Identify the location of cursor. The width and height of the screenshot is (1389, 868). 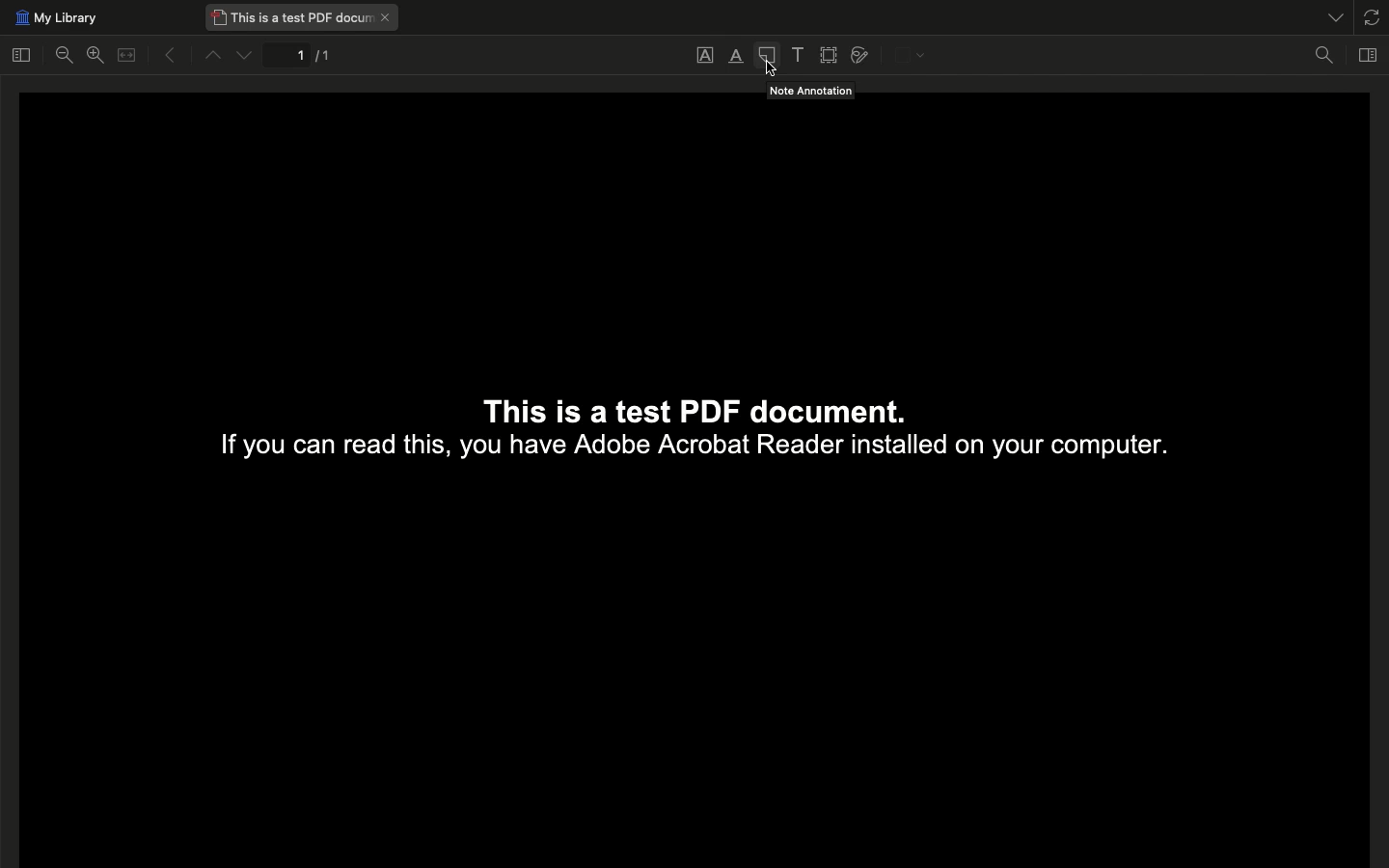
(776, 70).